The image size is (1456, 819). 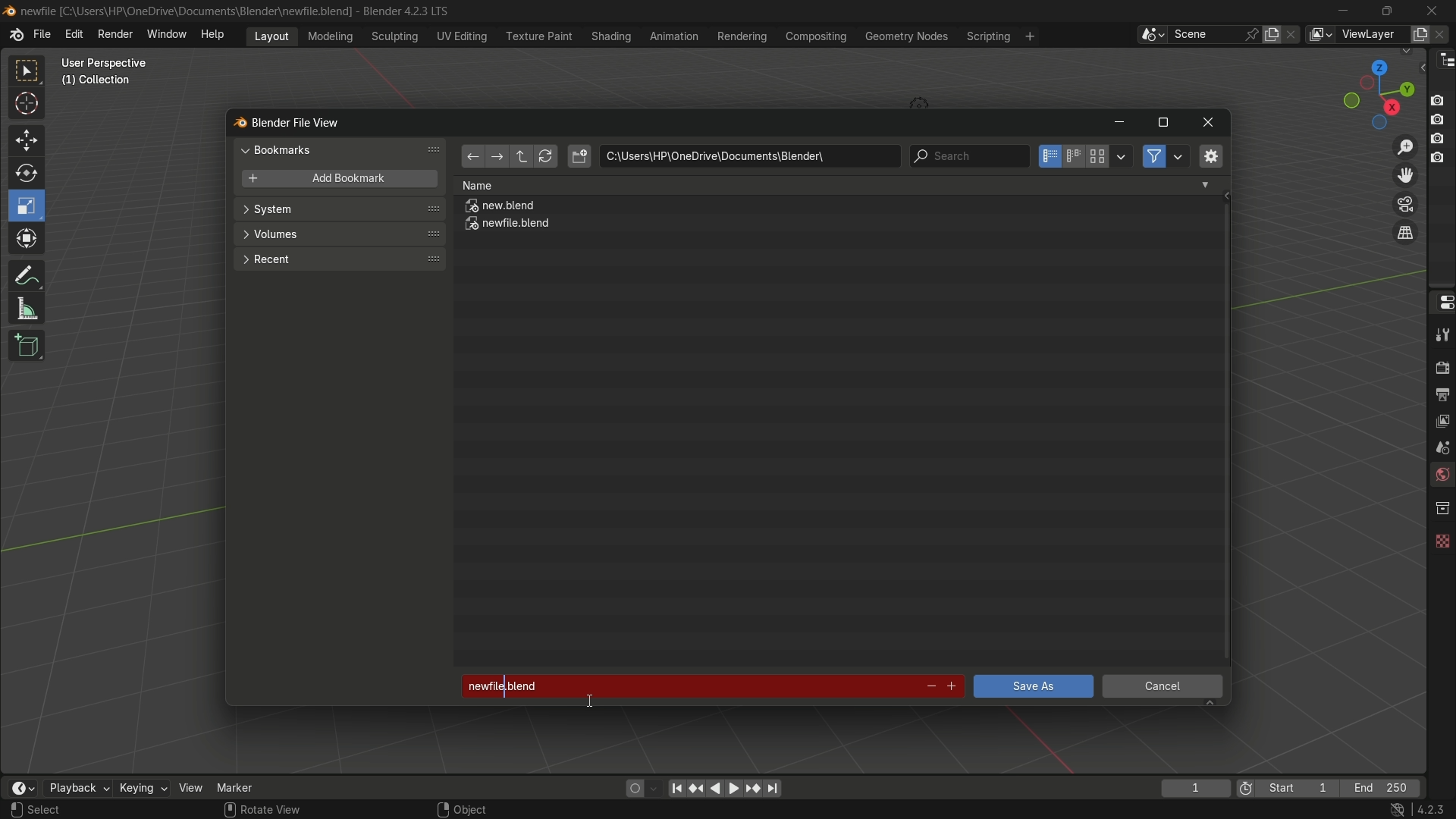 What do you see at coordinates (142, 789) in the screenshot?
I see `keying` at bounding box center [142, 789].